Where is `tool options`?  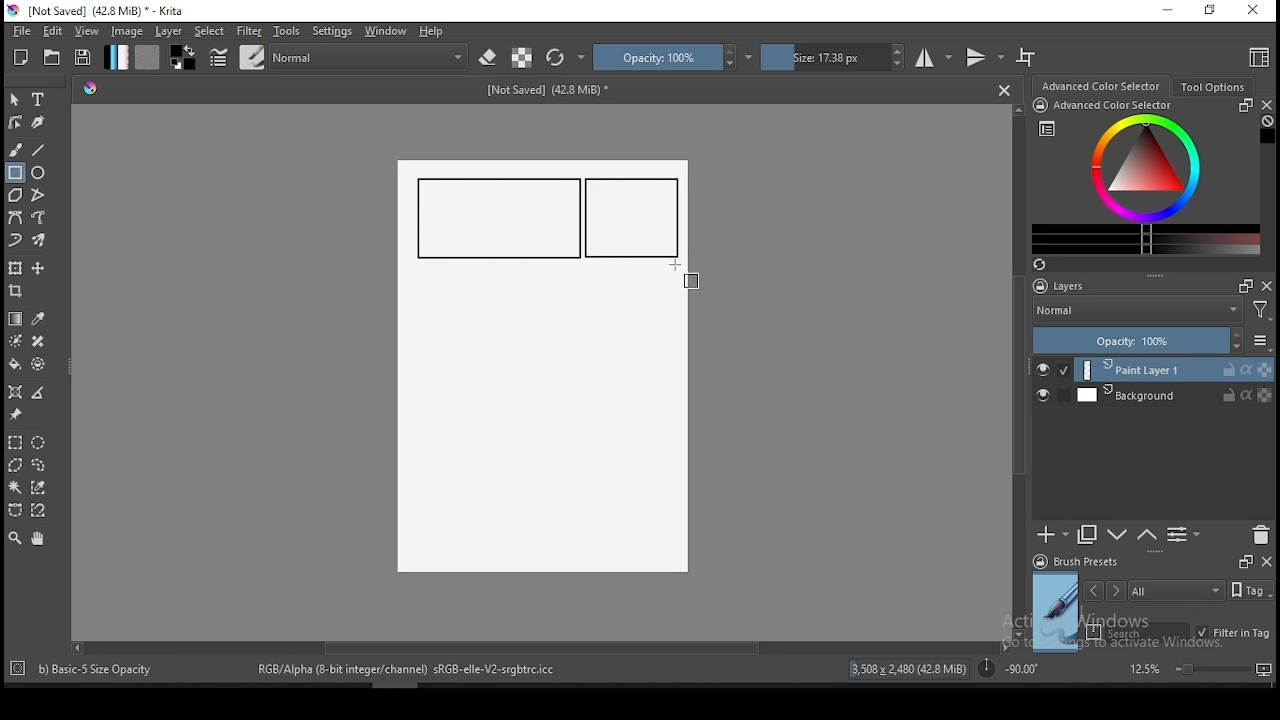 tool options is located at coordinates (1214, 87).